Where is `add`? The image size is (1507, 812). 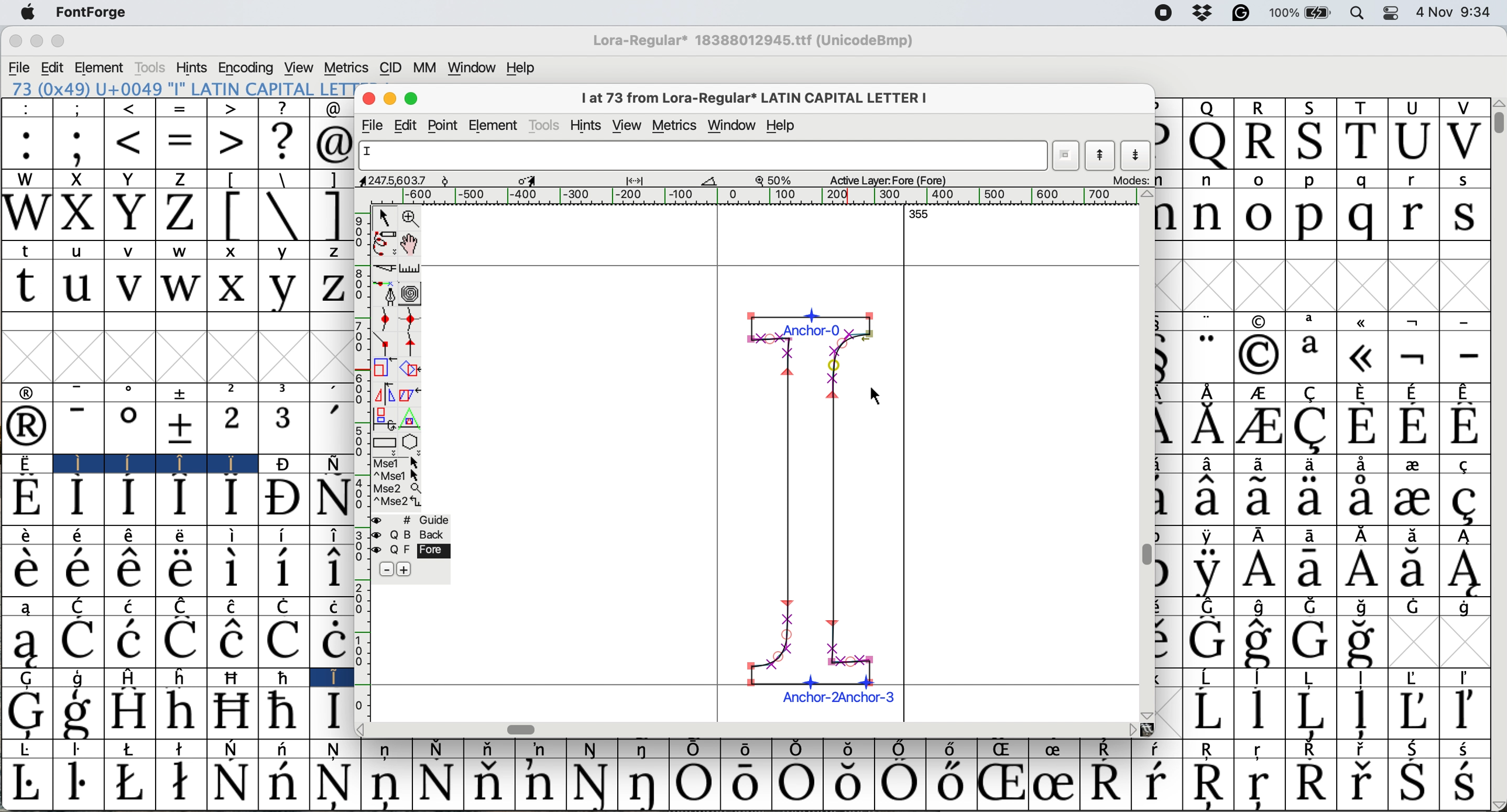
add is located at coordinates (406, 569).